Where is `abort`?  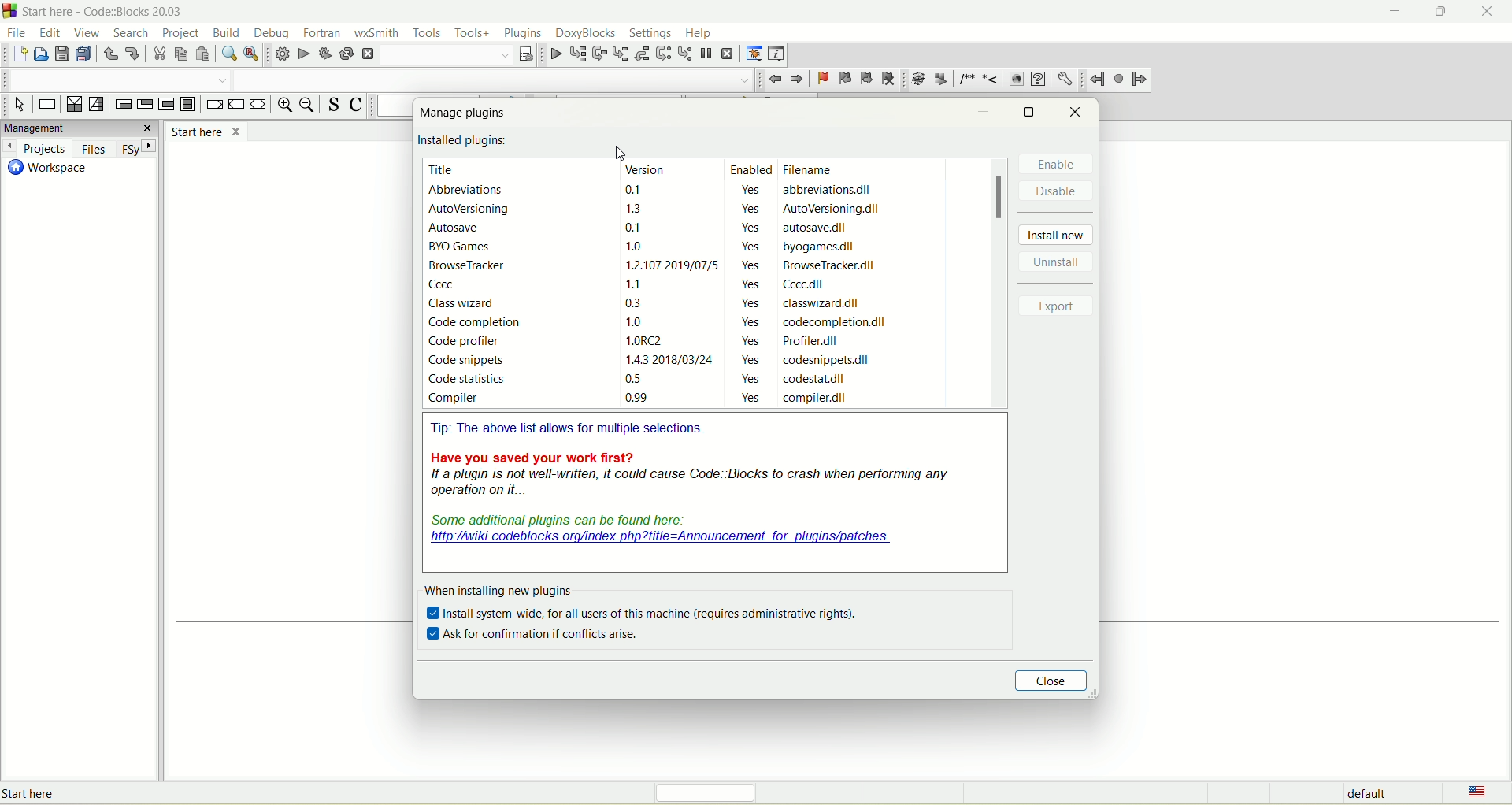
abort is located at coordinates (370, 54).